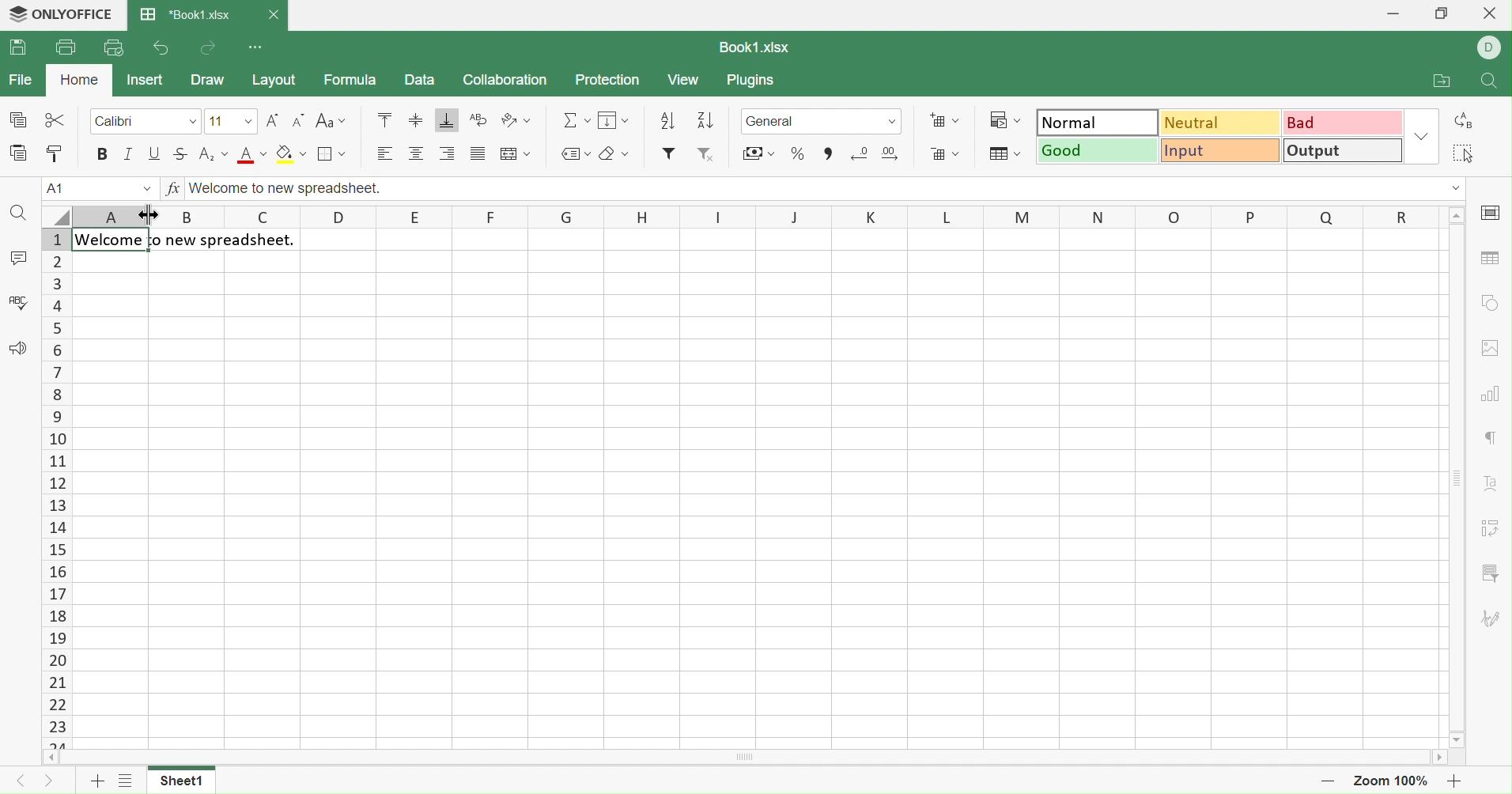  What do you see at coordinates (287, 187) in the screenshot?
I see `Welcome to new spreadsheet` at bounding box center [287, 187].